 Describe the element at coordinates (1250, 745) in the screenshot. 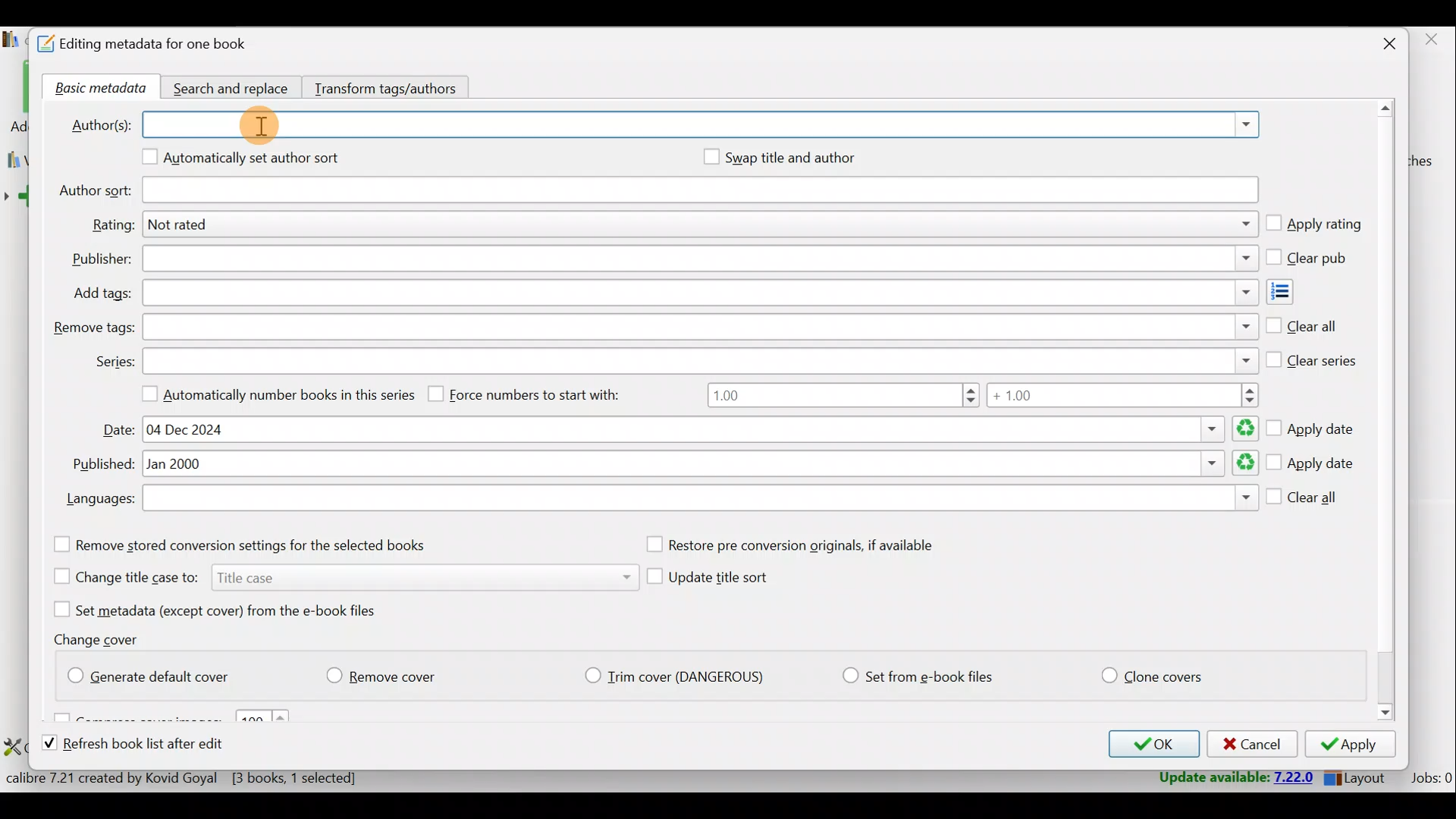

I see `Cancel` at that location.